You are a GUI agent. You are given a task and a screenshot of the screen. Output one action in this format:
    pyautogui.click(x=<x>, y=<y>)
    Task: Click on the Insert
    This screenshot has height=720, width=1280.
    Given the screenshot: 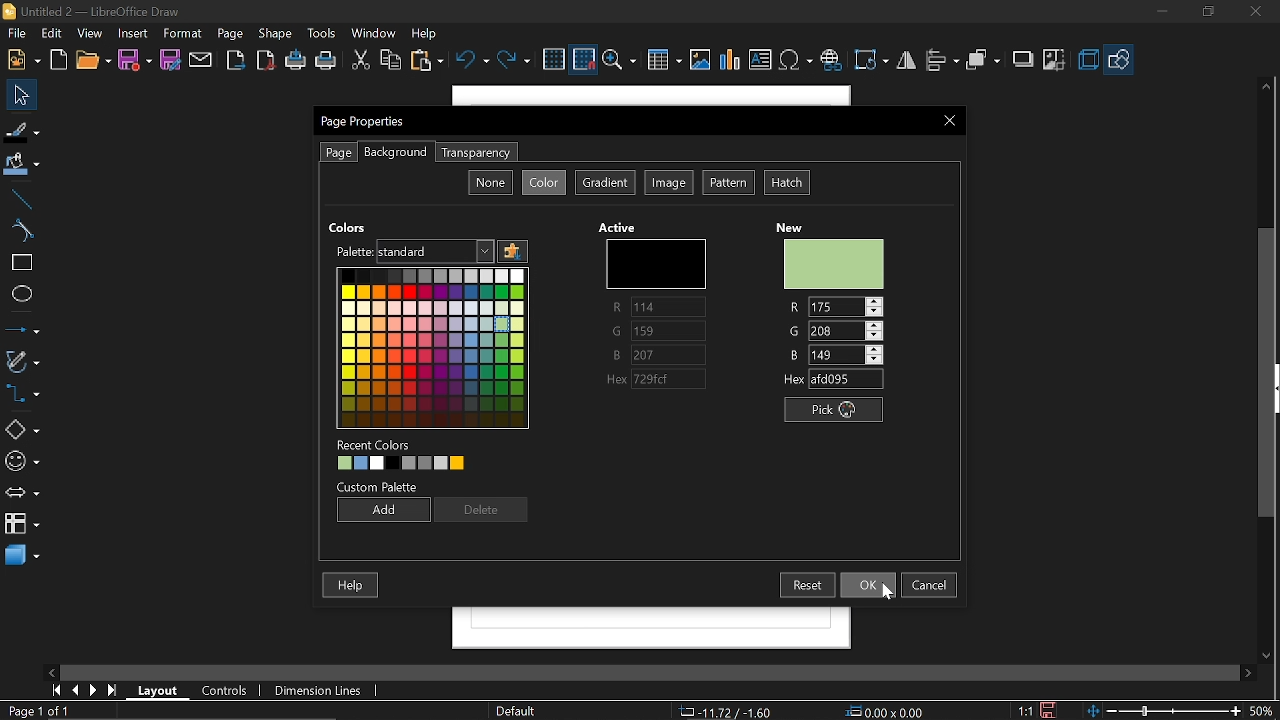 What is the action you would take?
    pyautogui.click(x=134, y=34)
    